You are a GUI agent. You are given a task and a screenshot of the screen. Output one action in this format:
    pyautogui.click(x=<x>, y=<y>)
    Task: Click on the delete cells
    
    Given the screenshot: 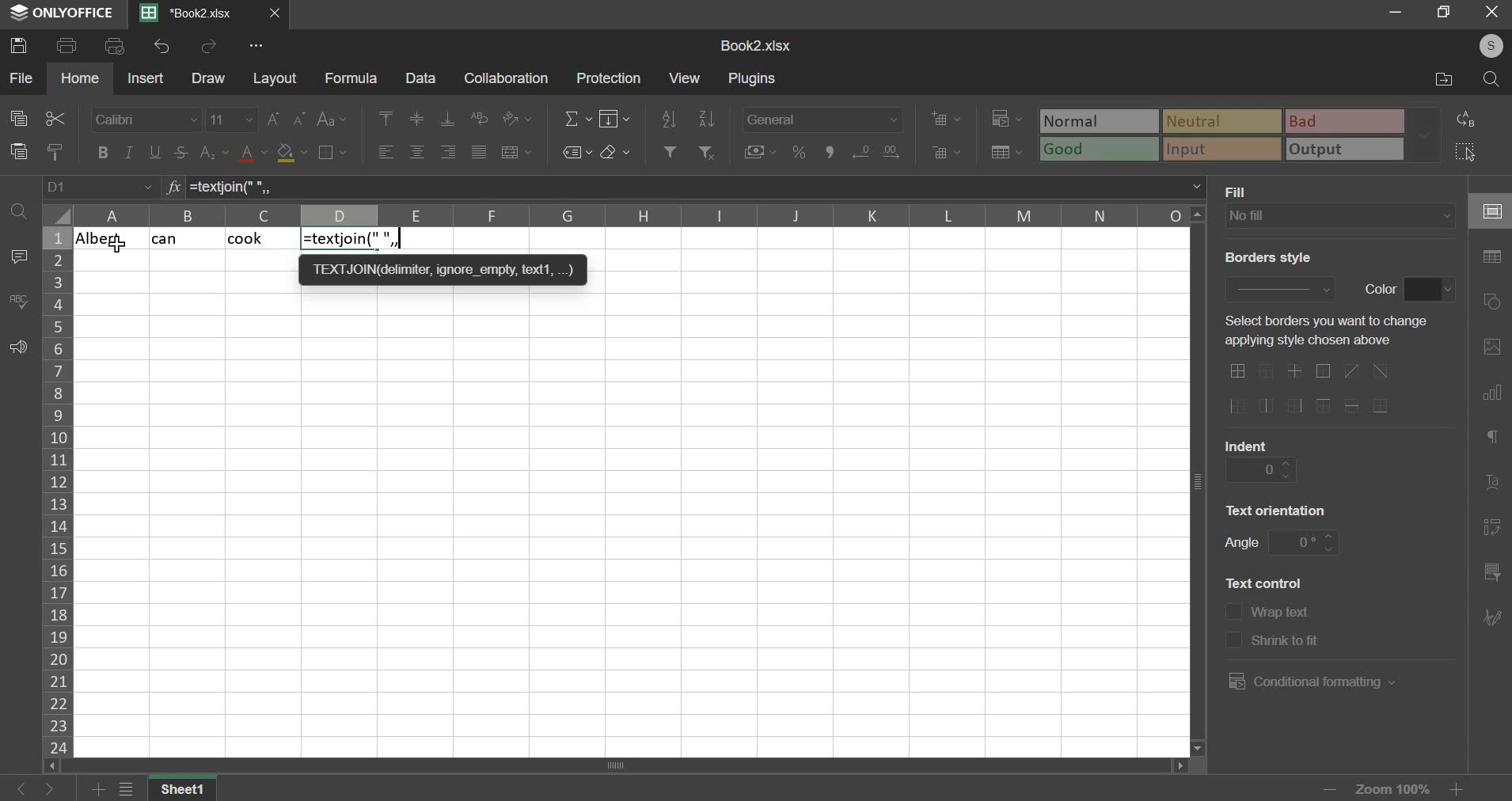 What is the action you would take?
    pyautogui.click(x=947, y=152)
    